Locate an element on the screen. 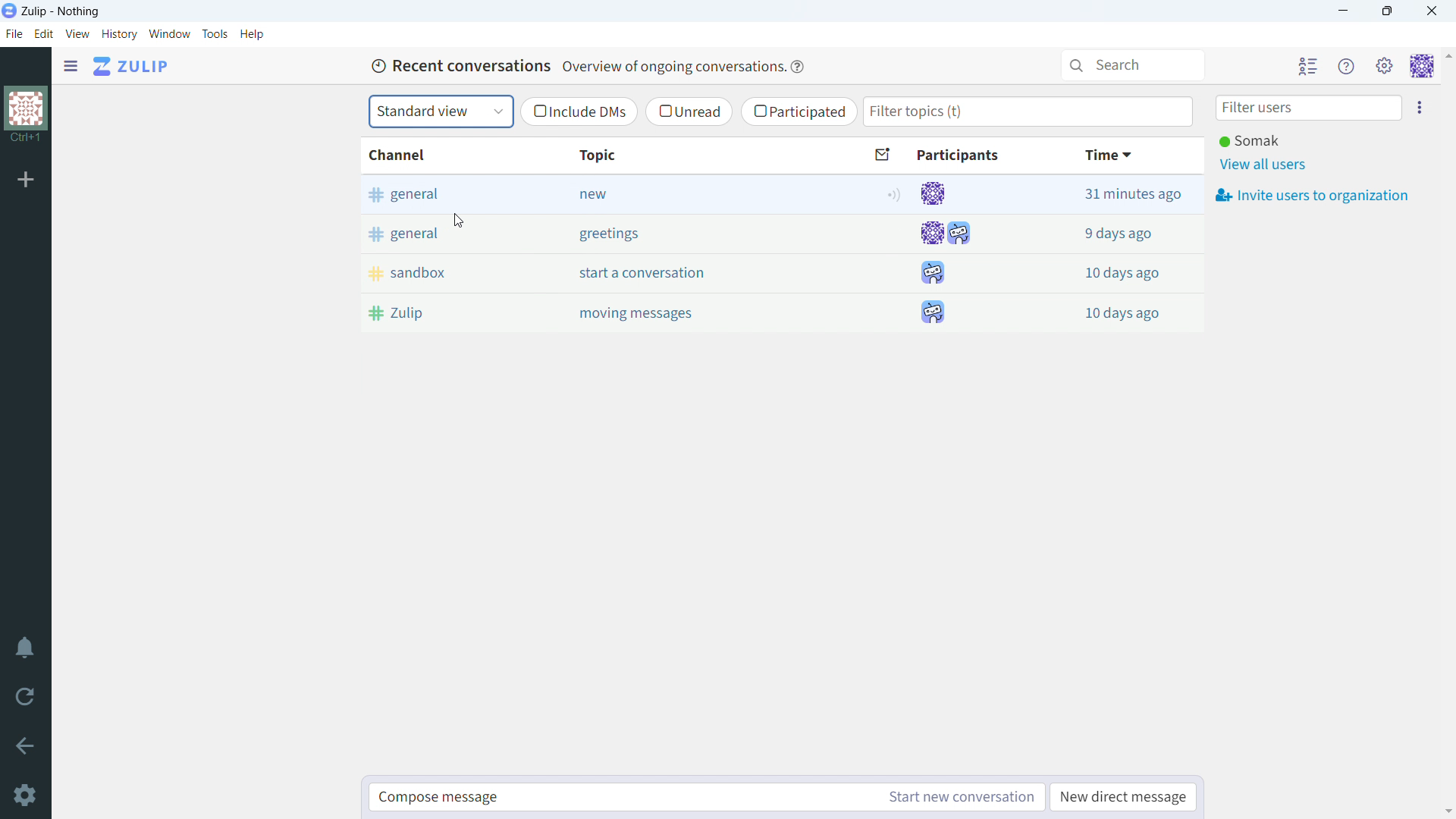 The image size is (1456, 819). settings is located at coordinates (27, 796).